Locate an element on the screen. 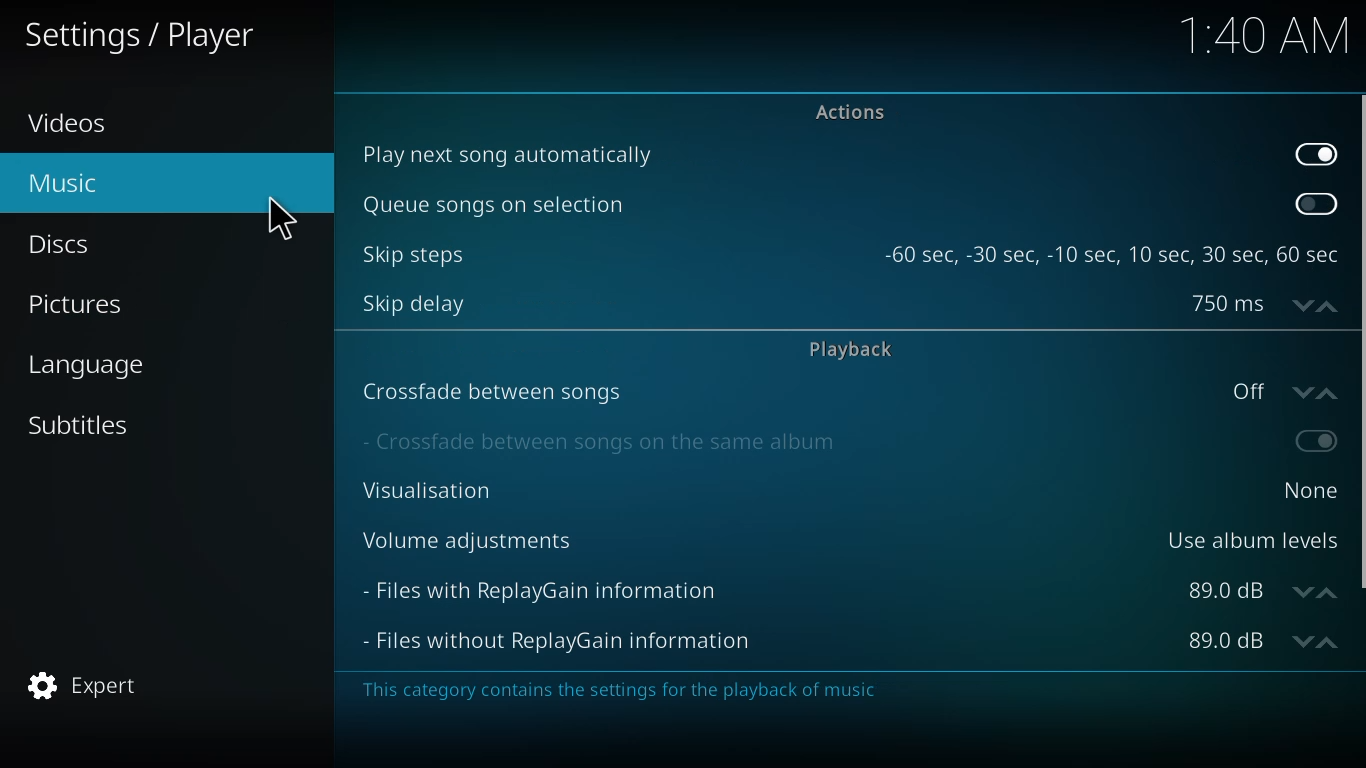 The image size is (1366, 768). files without replaygain is located at coordinates (570, 640).